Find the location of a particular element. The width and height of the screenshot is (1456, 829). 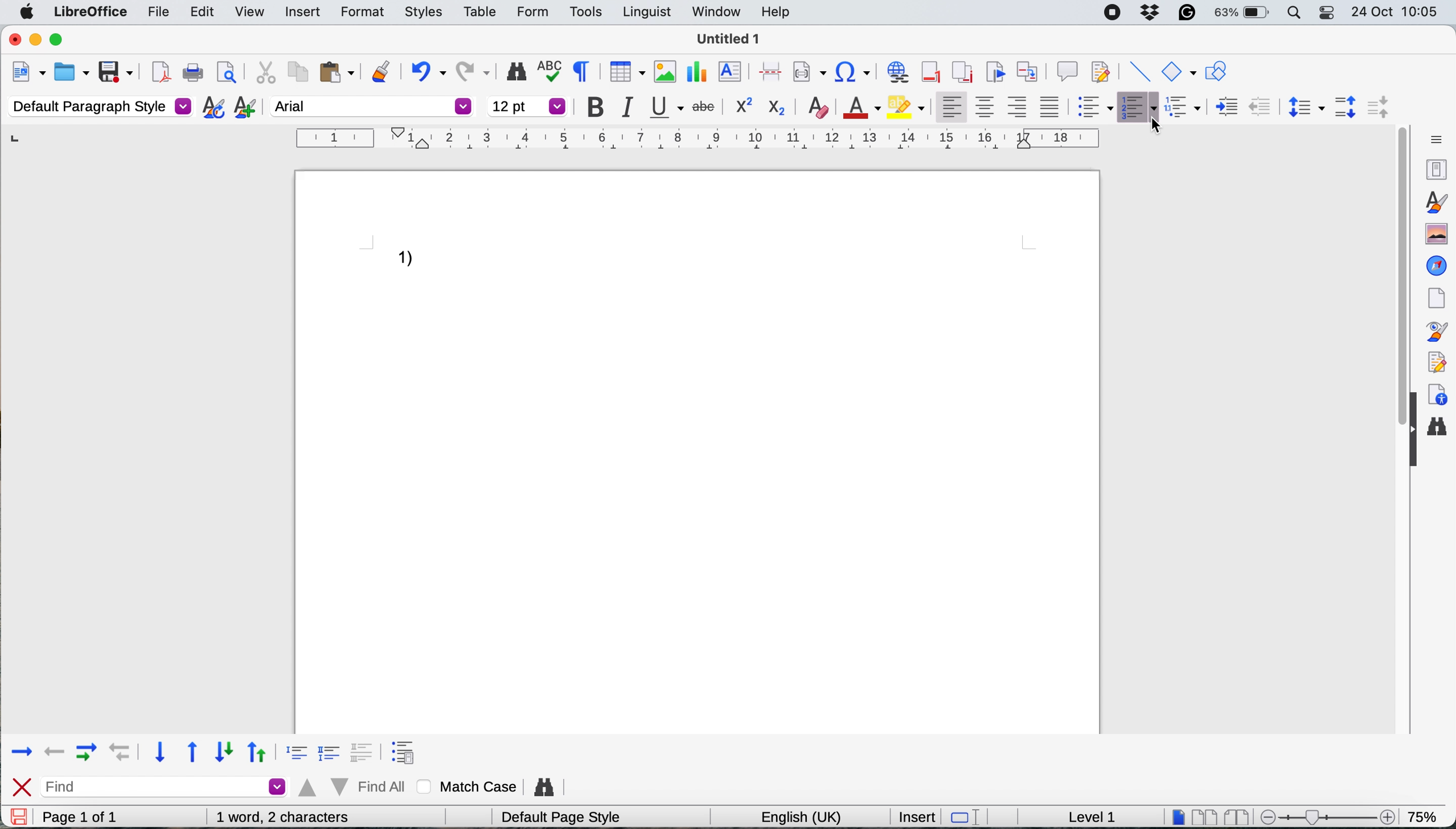

forward with indent is located at coordinates (86, 751).